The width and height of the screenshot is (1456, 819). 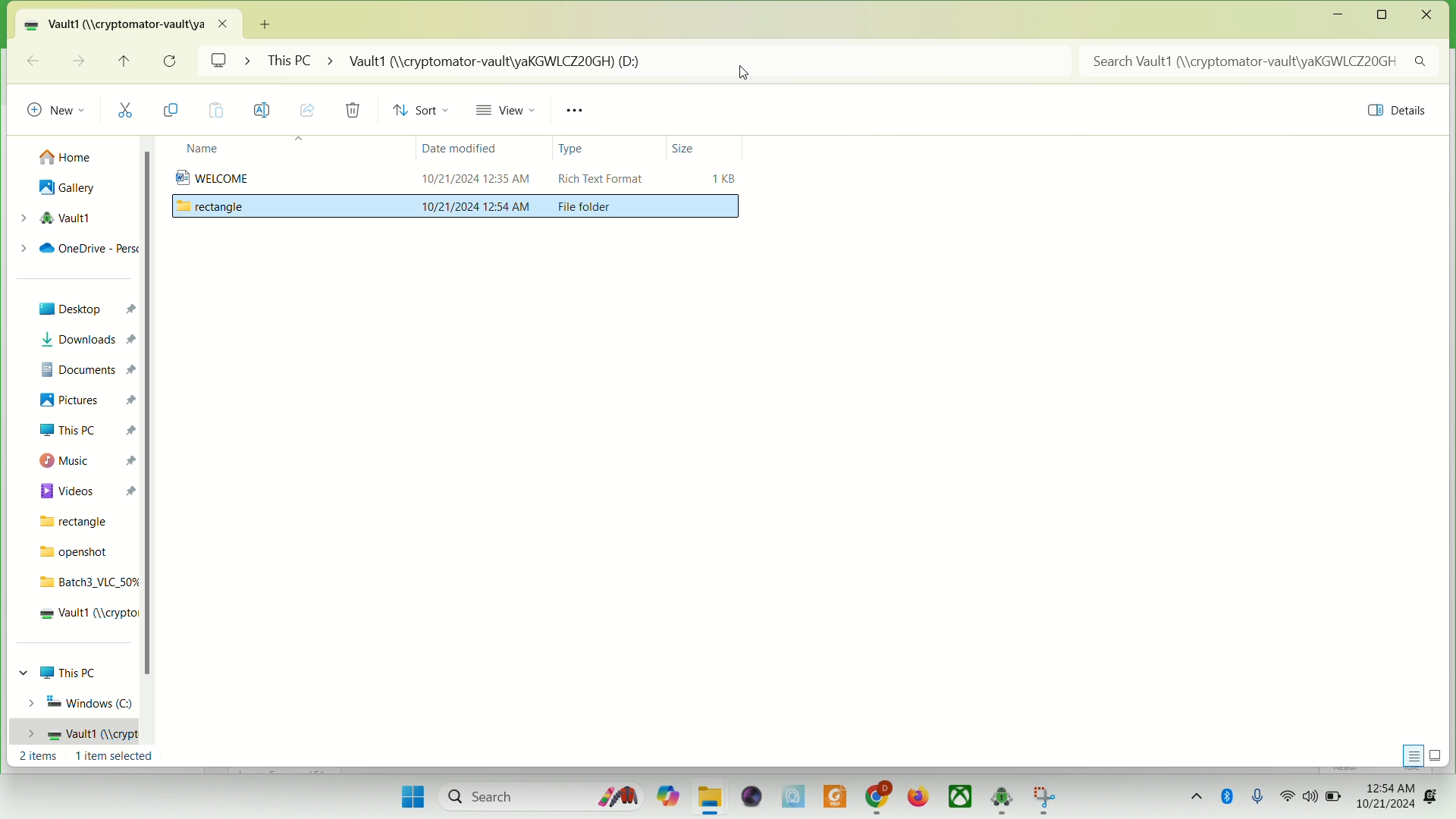 What do you see at coordinates (1338, 16) in the screenshot?
I see `minimize` at bounding box center [1338, 16].